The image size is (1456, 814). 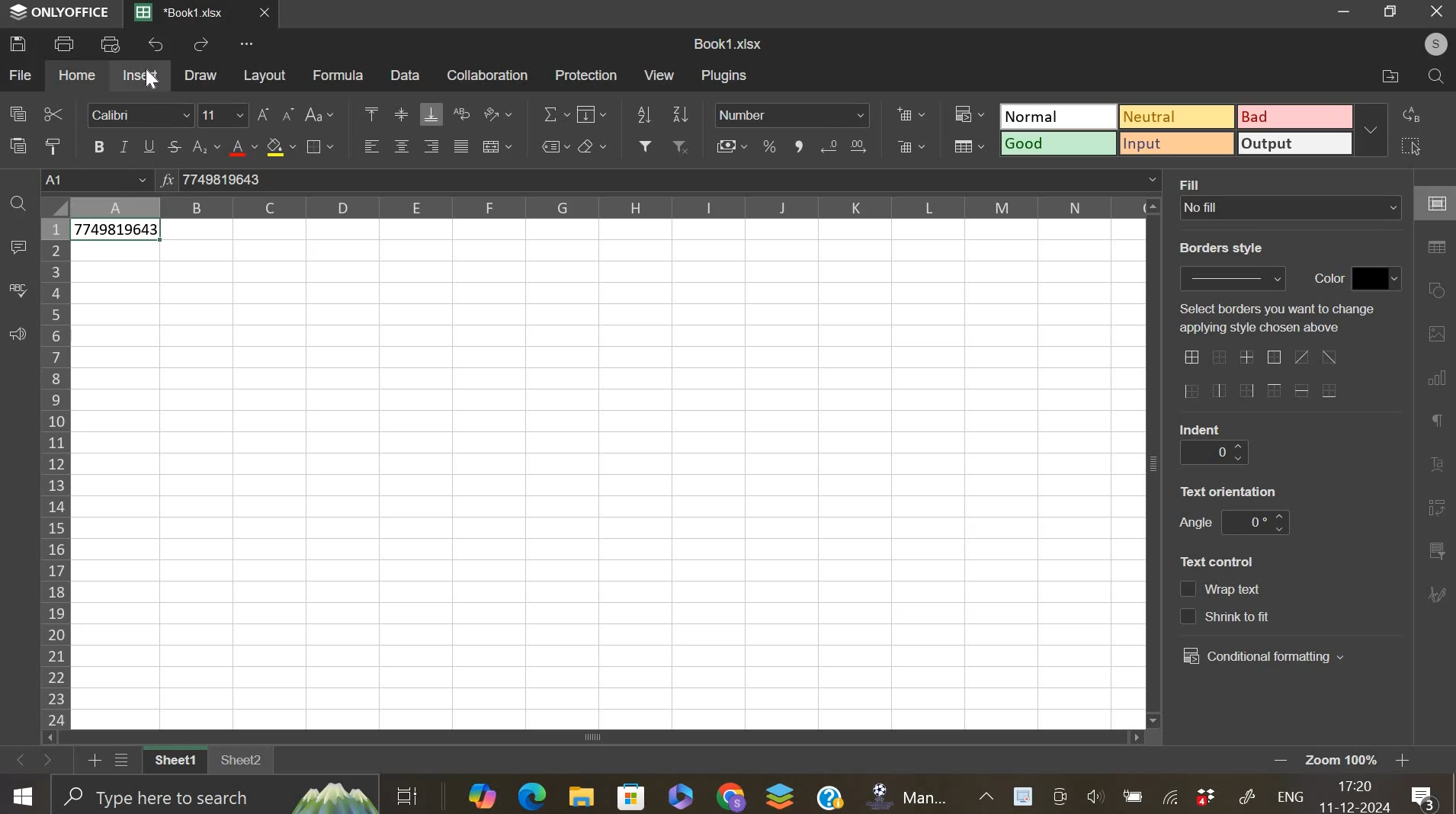 What do you see at coordinates (1291, 207) in the screenshot?
I see `background fill` at bounding box center [1291, 207].